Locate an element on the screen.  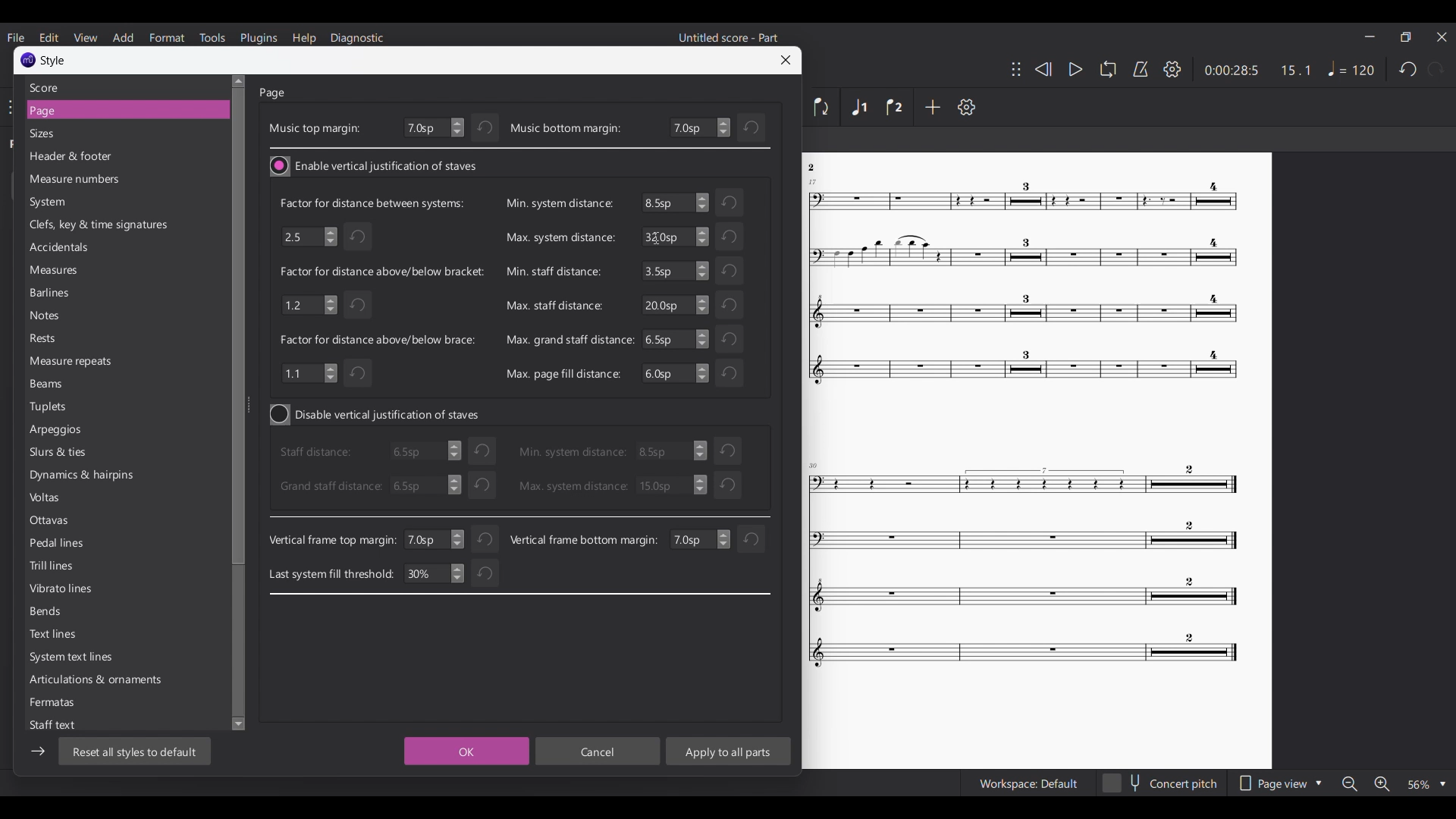
Change toolbar position is located at coordinates (1016, 69).